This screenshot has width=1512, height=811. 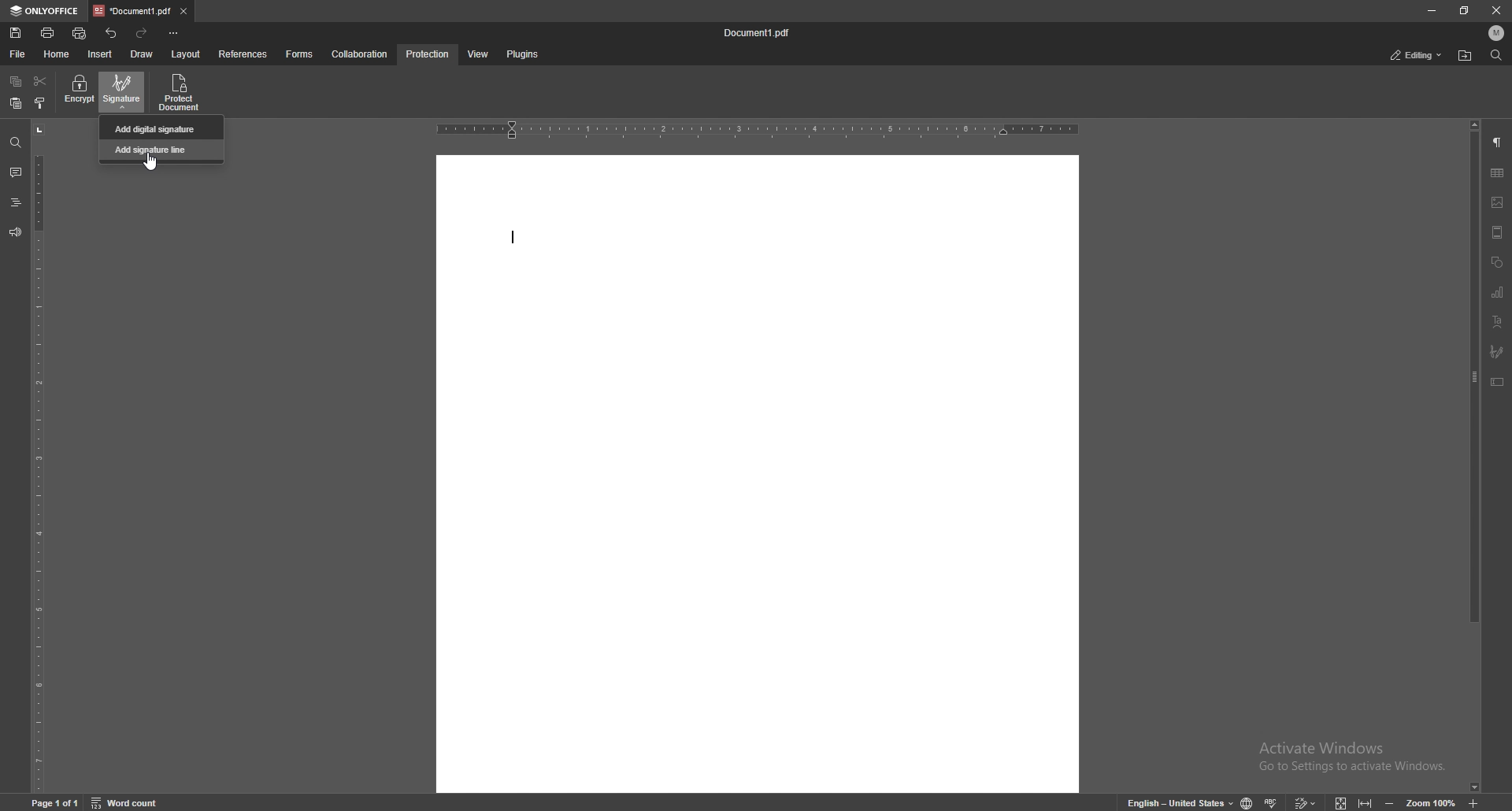 What do you see at coordinates (57, 802) in the screenshot?
I see `page` at bounding box center [57, 802].